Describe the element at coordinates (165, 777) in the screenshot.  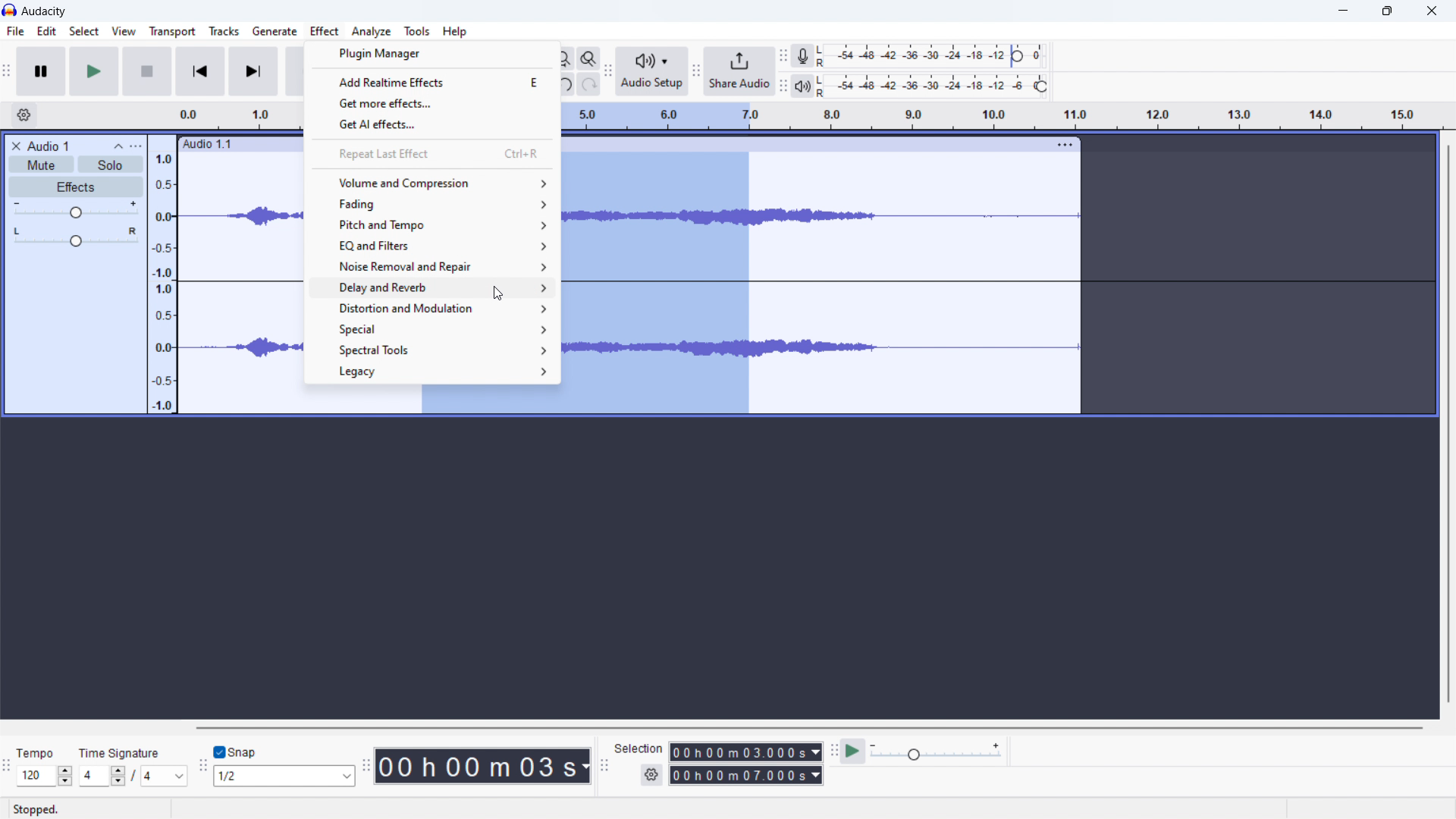
I see `4` at that location.